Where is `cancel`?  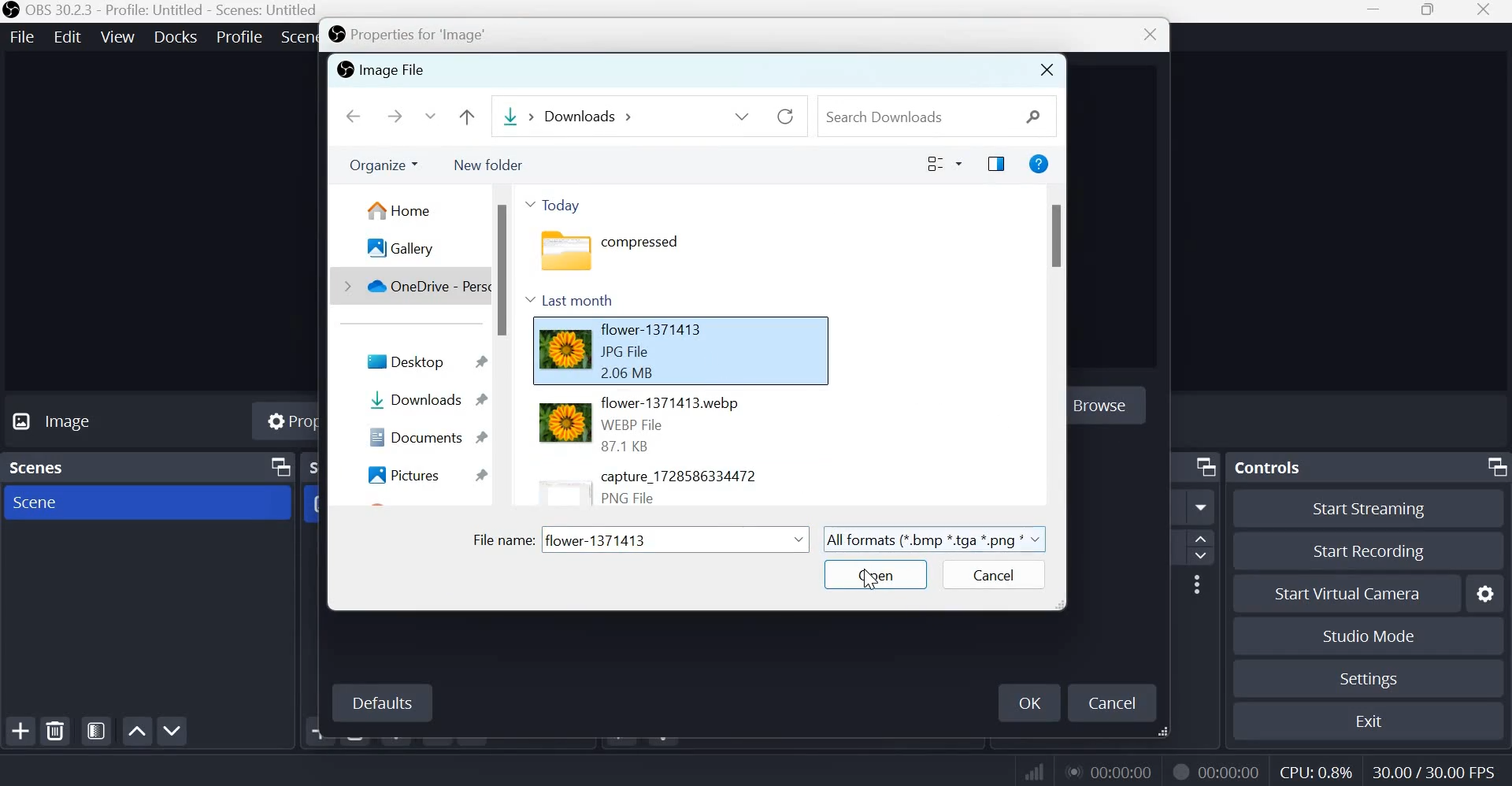 cancel is located at coordinates (991, 574).